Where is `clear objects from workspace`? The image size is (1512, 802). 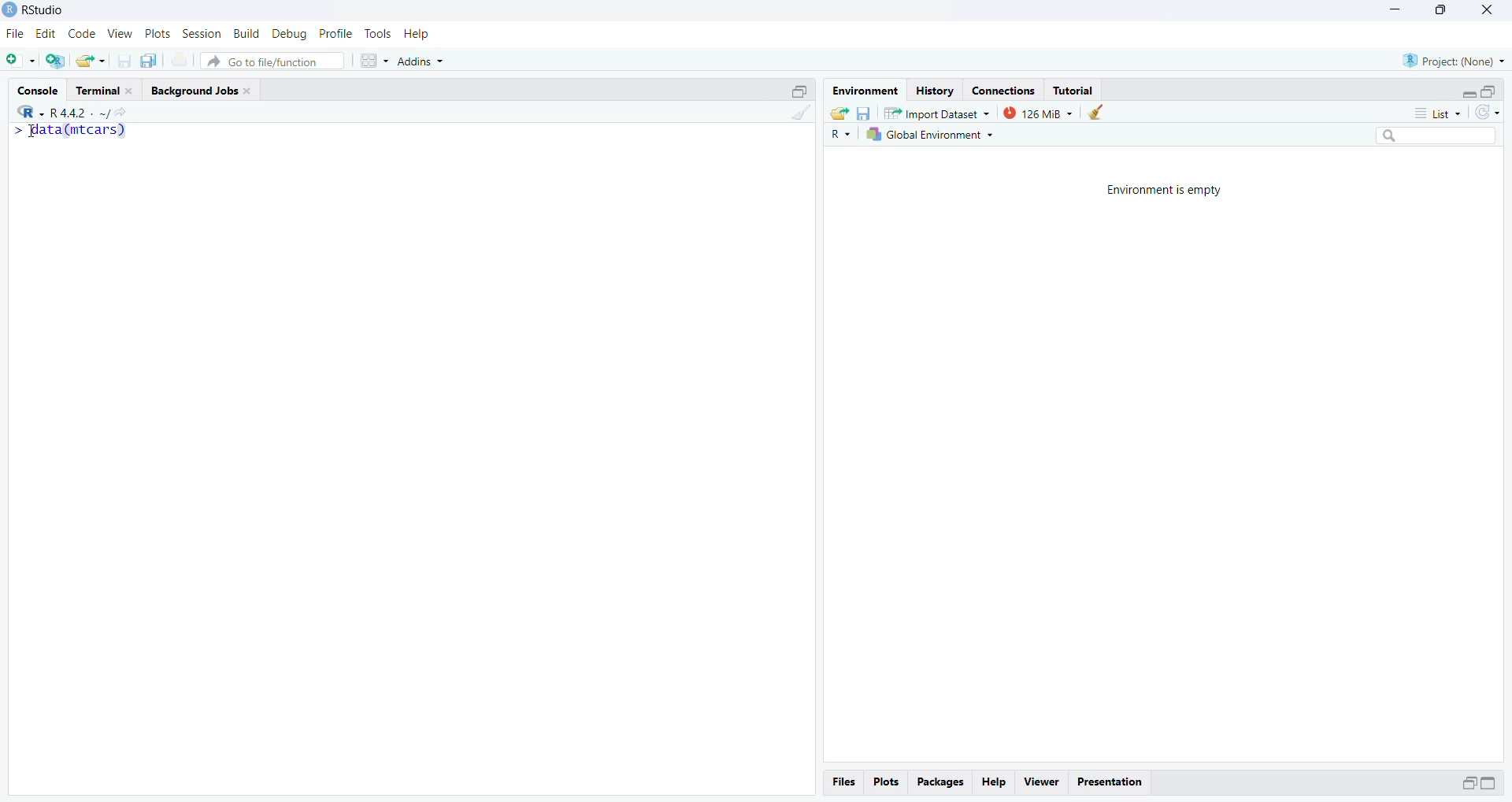 clear objects from workspace is located at coordinates (1095, 112).